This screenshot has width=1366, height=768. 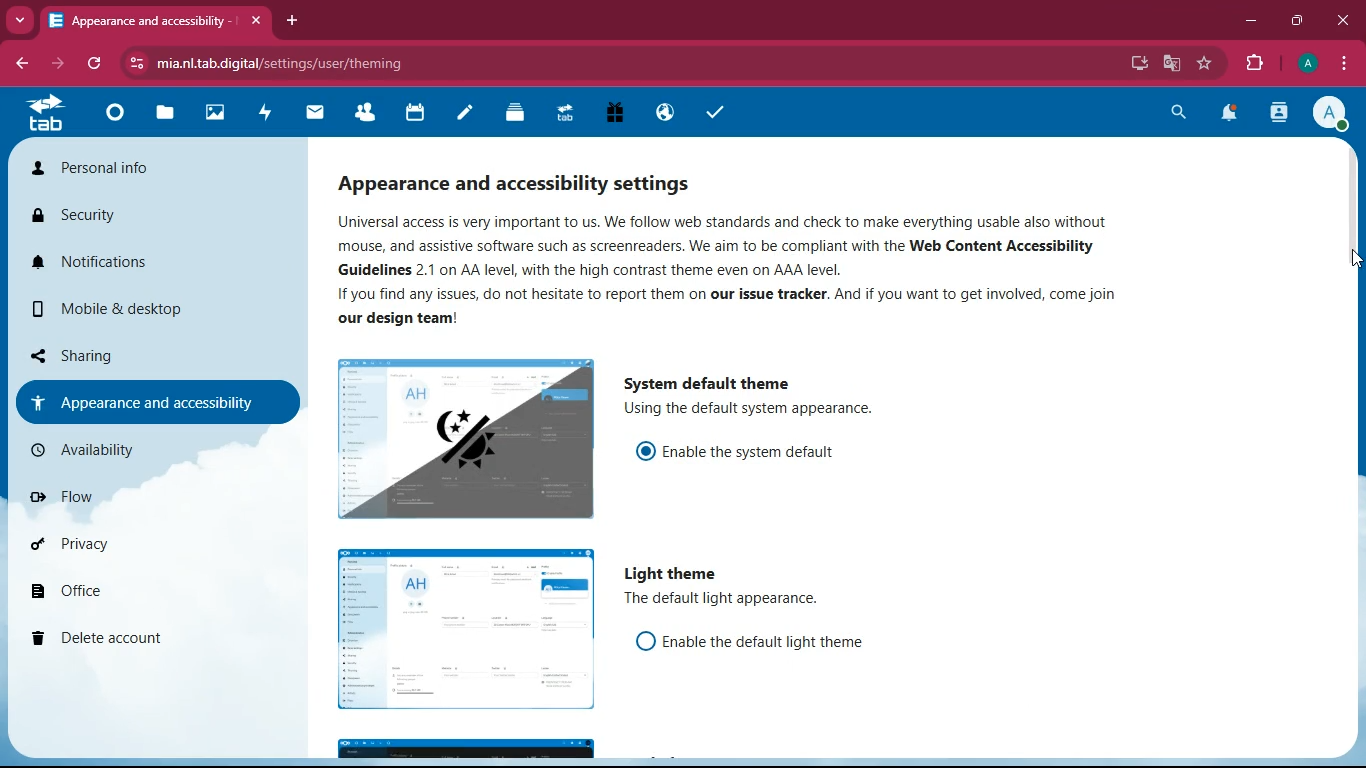 What do you see at coordinates (645, 641) in the screenshot?
I see `off` at bounding box center [645, 641].